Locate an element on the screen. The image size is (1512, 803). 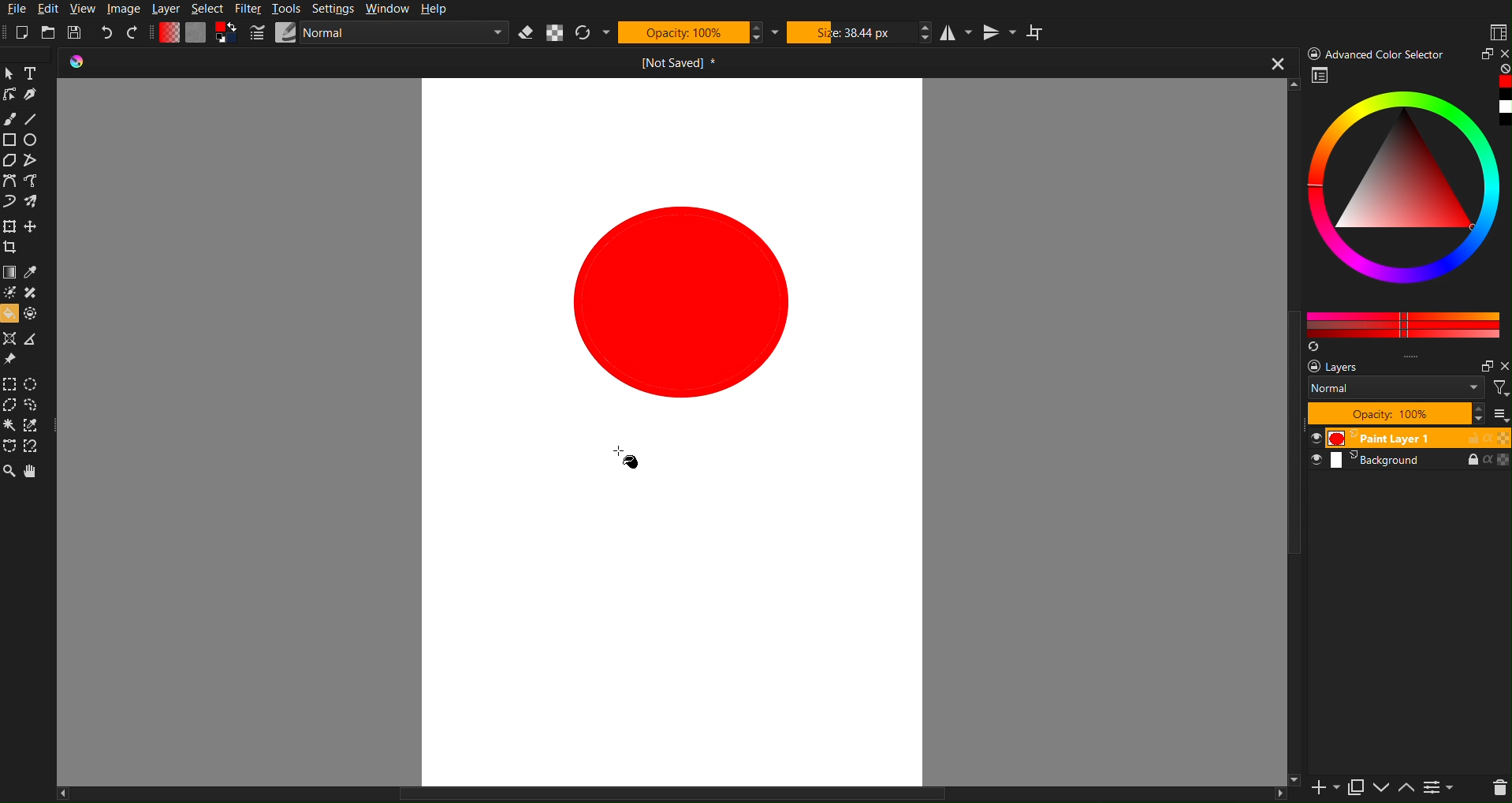
Gradient is located at coordinates (168, 33).